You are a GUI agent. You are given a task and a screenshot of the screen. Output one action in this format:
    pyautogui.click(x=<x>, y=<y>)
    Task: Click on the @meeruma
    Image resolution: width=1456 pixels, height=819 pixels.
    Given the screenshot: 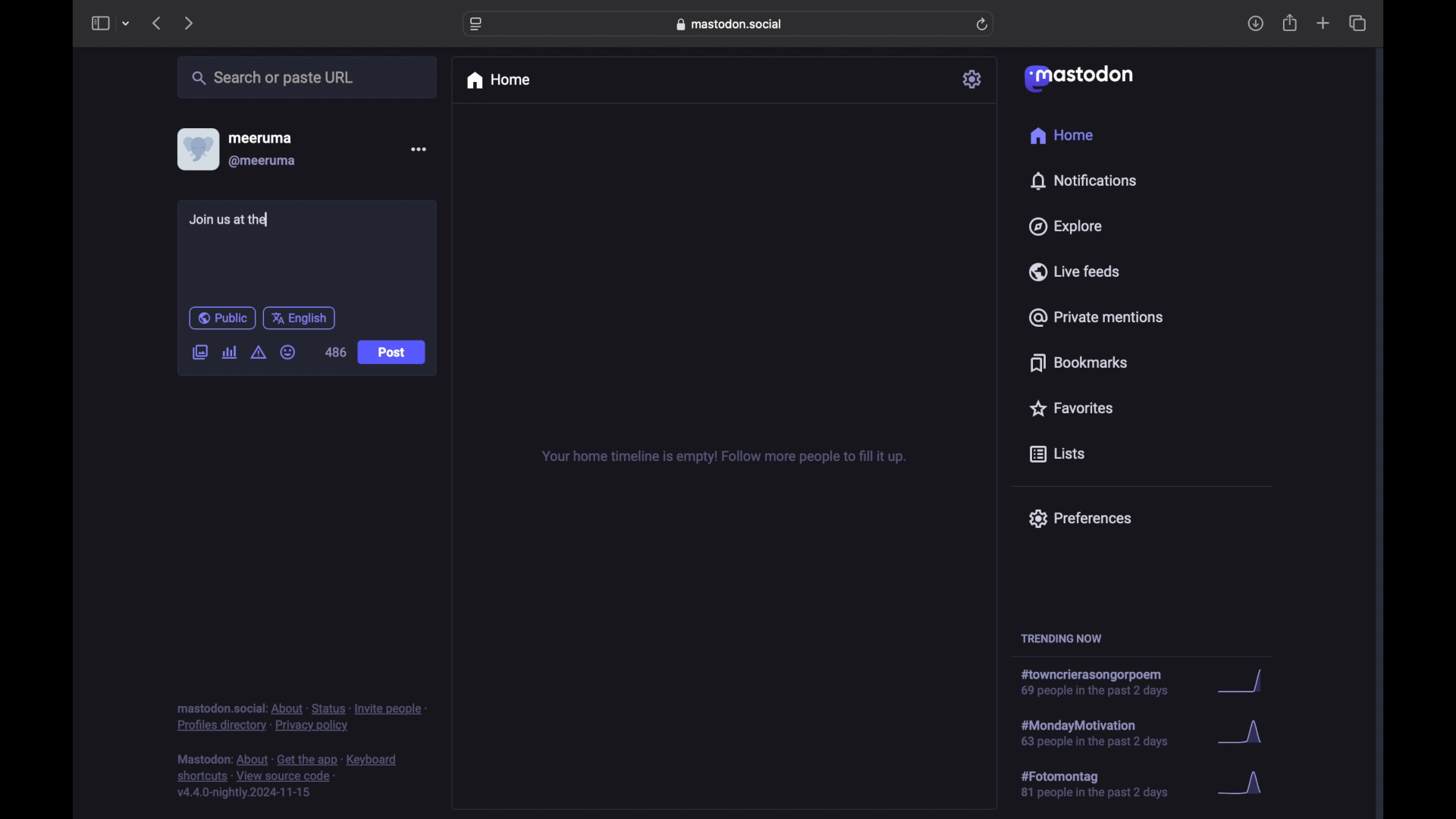 What is the action you would take?
    pyautogui.click(x=262, y=162)
    